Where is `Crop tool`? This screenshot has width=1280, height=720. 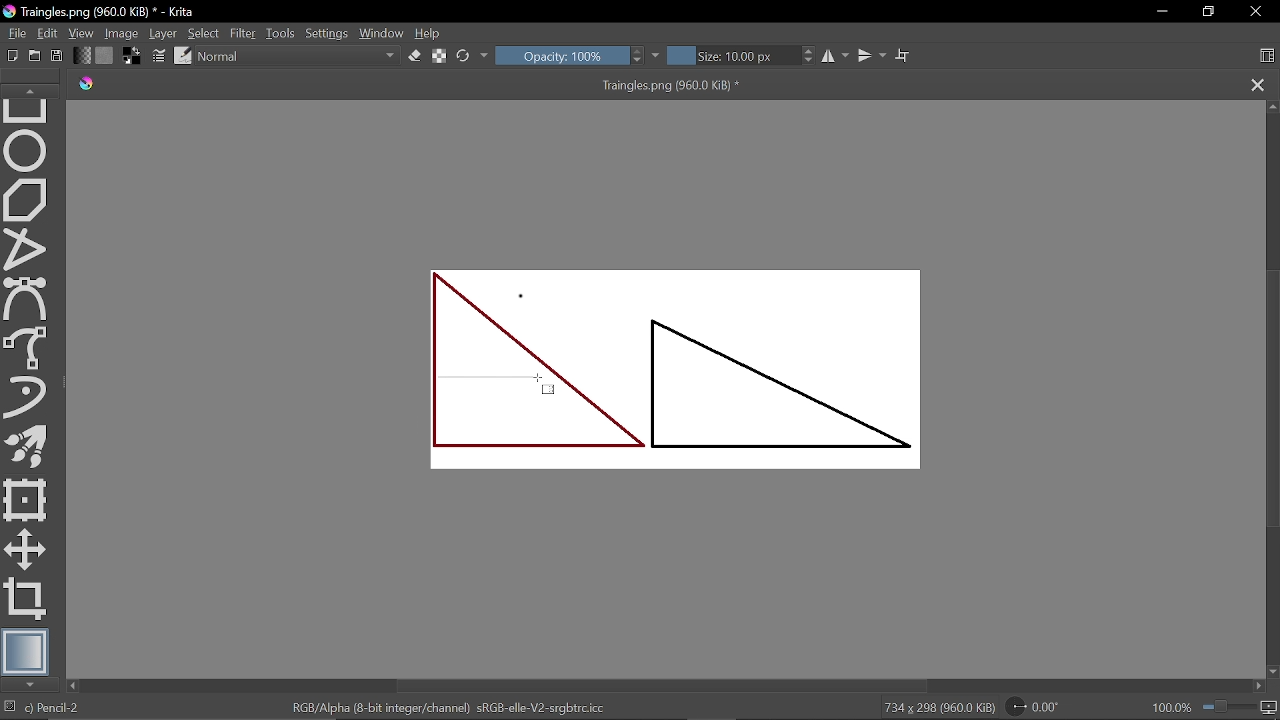
Crop tool is located at coordinates (27, 600).